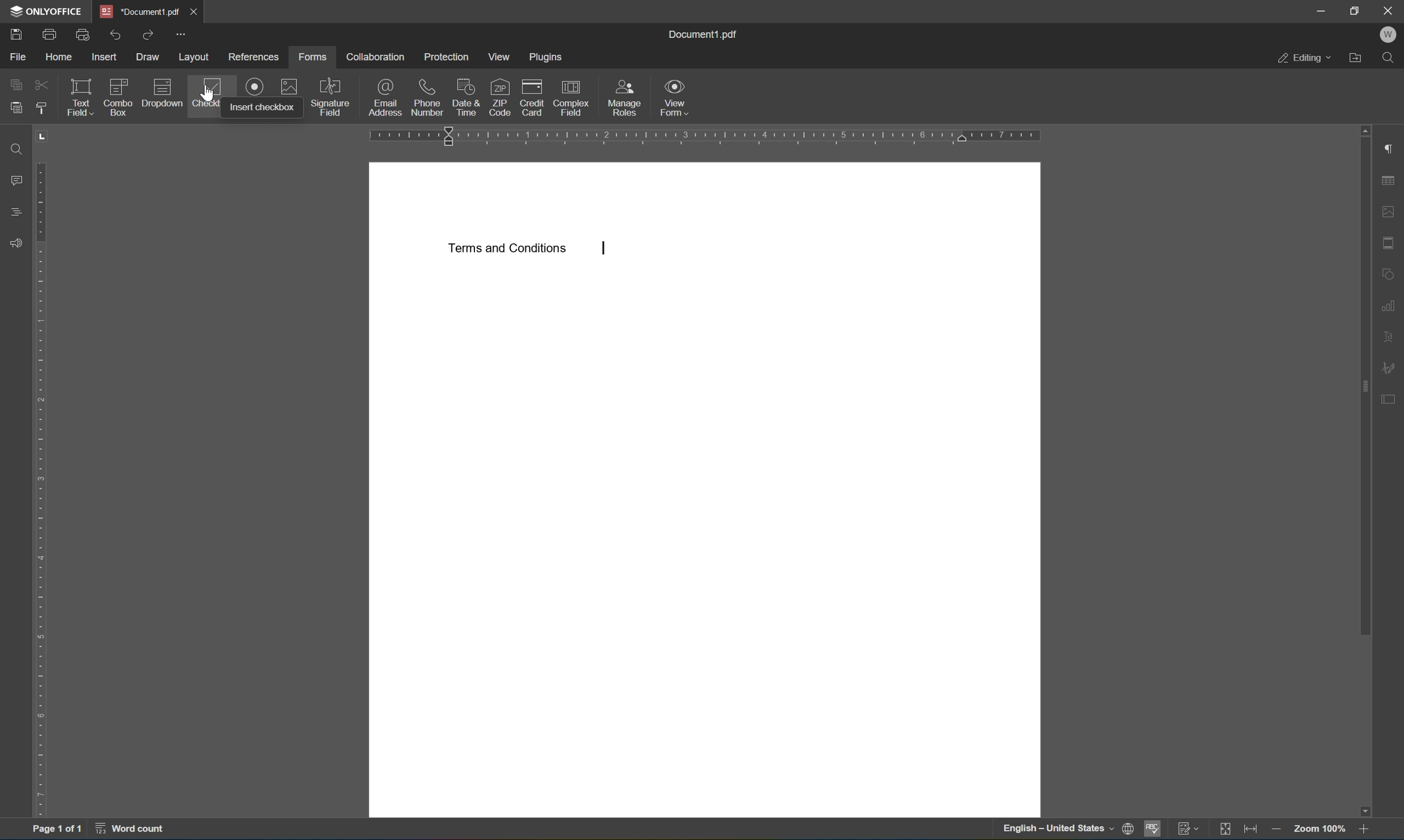 Image resolution: width=1404 pixels, height=840 pixels. What do you see at coordinates (1389, 57) in the screenshot?
I see `find` at bounding box center [1389, 57].